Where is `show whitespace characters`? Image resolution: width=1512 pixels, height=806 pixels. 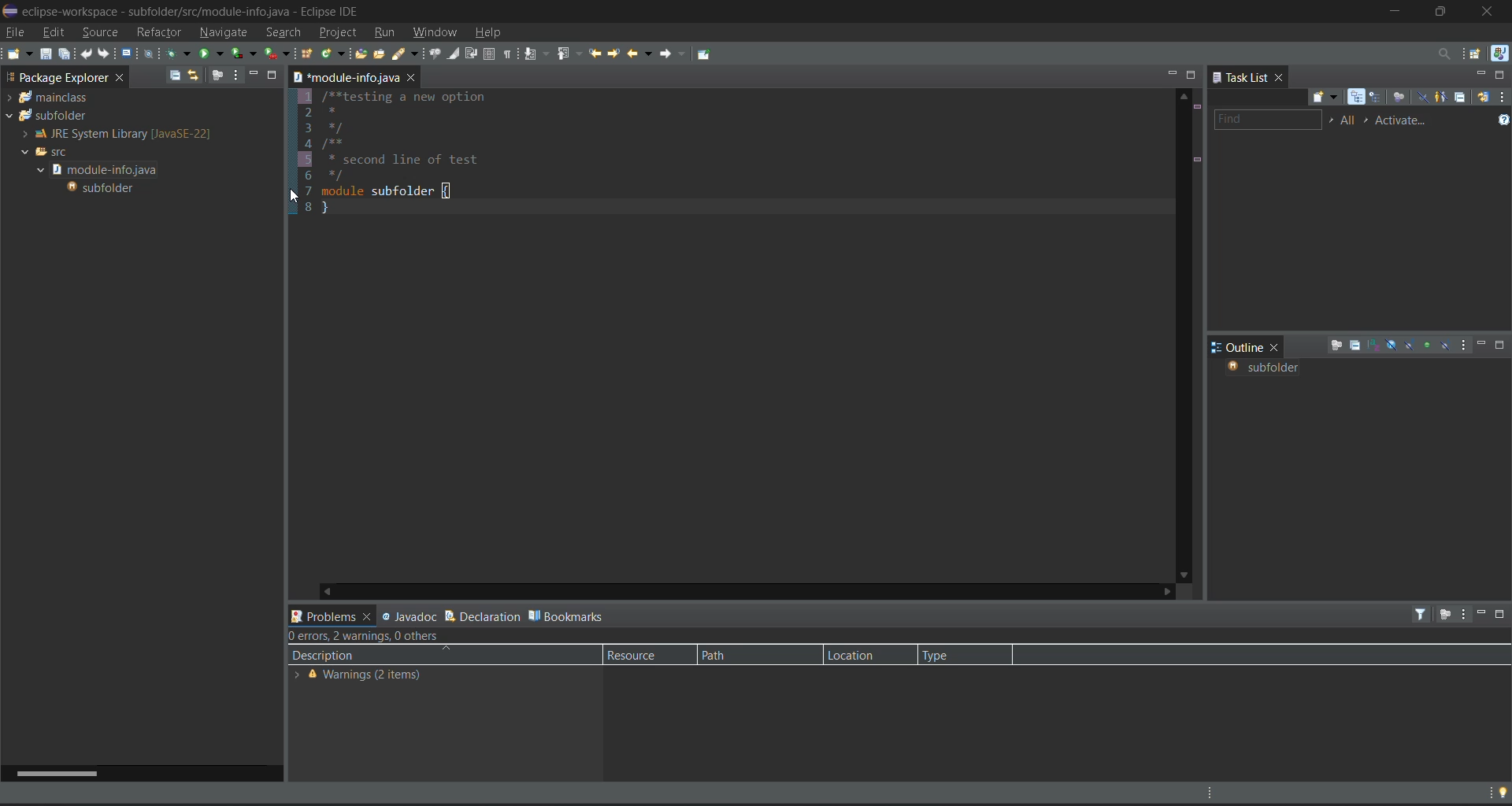
show whitespace characters is located at coordinates (509, 54).